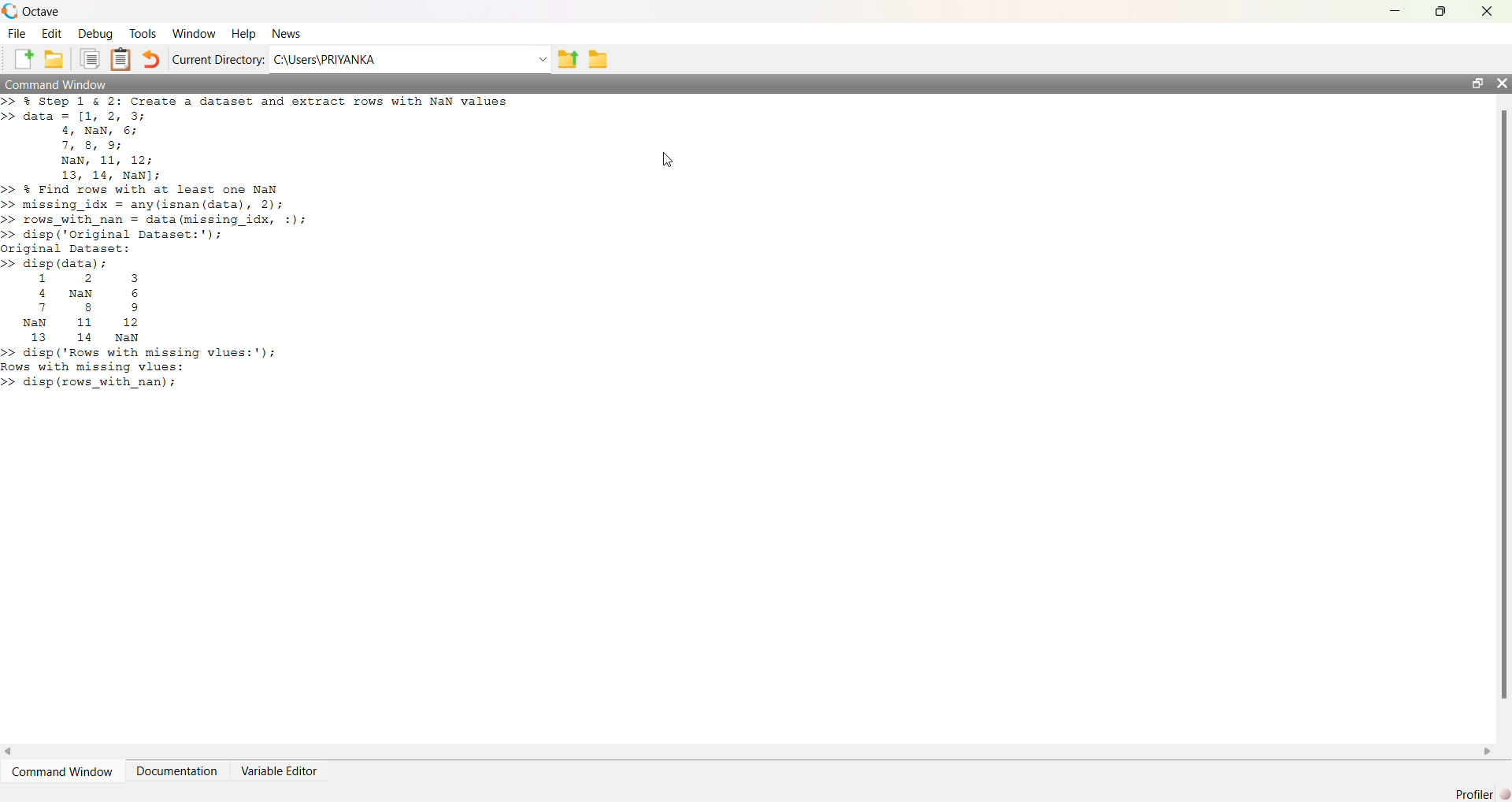 The height and width of the screenshot is (802, 1512). I want to click on Duplicate, so click(90, 59).